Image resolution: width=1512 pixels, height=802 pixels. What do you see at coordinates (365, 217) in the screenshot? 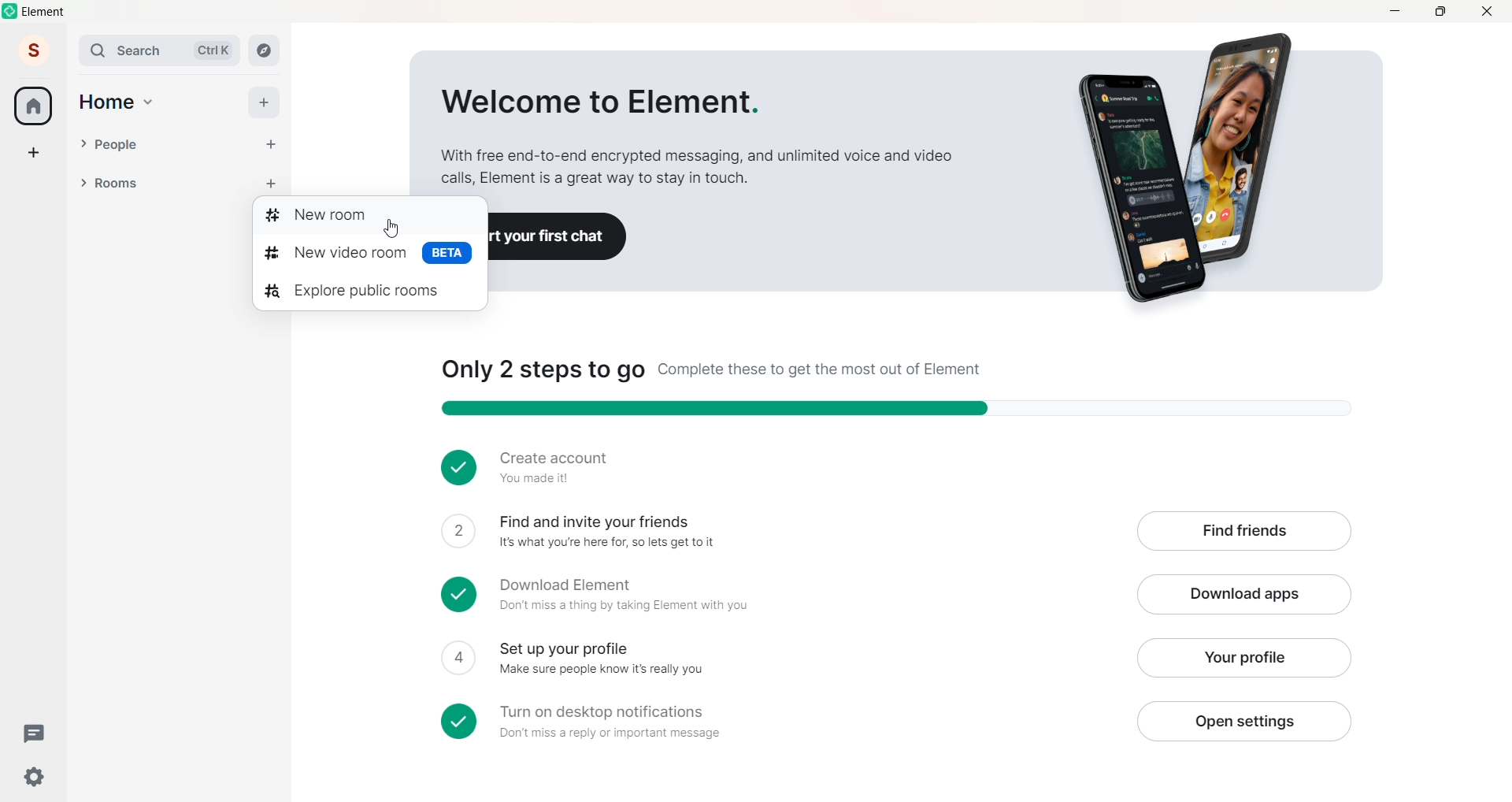
I see `New Room` at bounding box center [365, 217].